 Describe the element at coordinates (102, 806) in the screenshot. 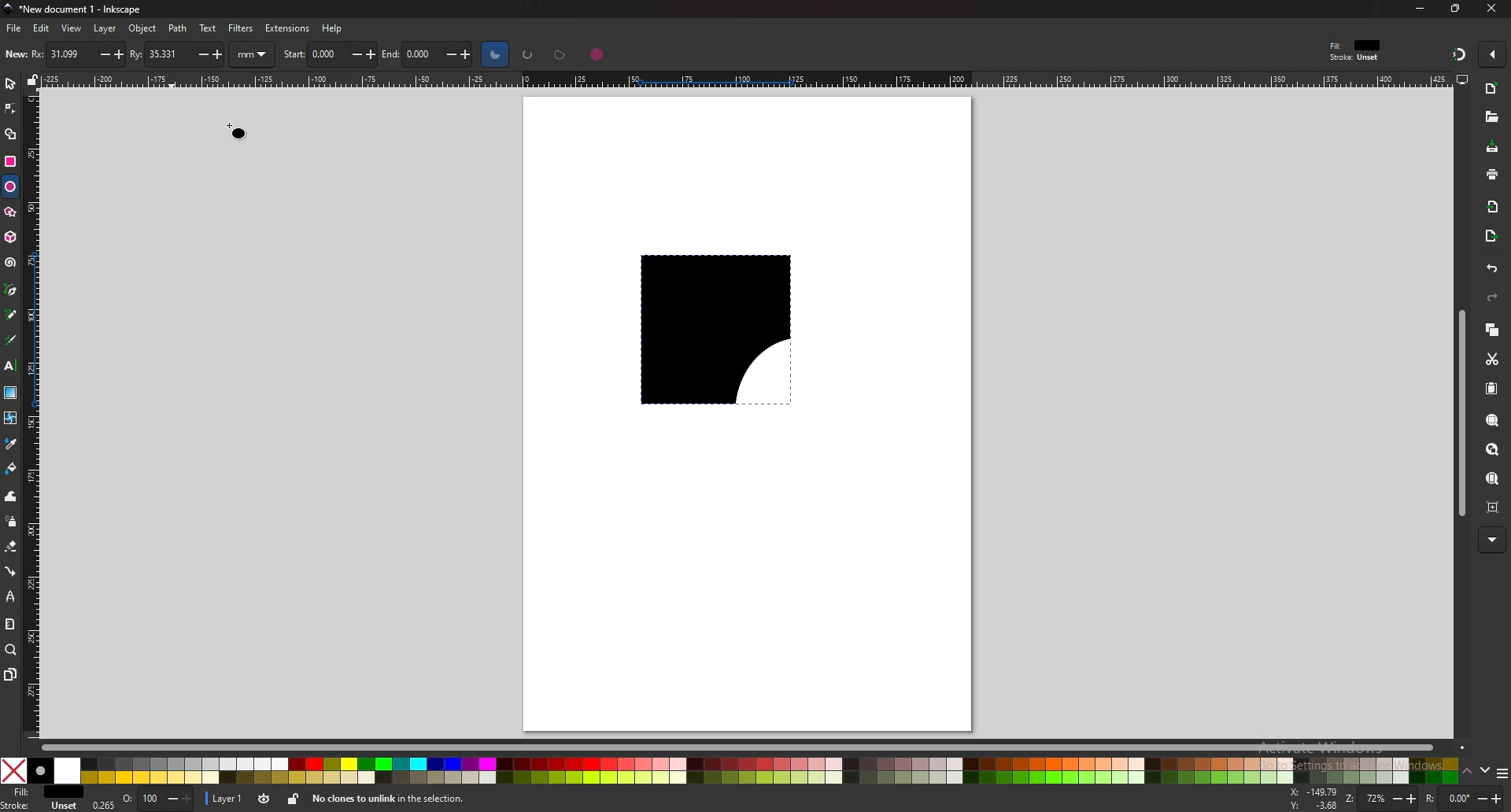

I see `0.265` at that location.